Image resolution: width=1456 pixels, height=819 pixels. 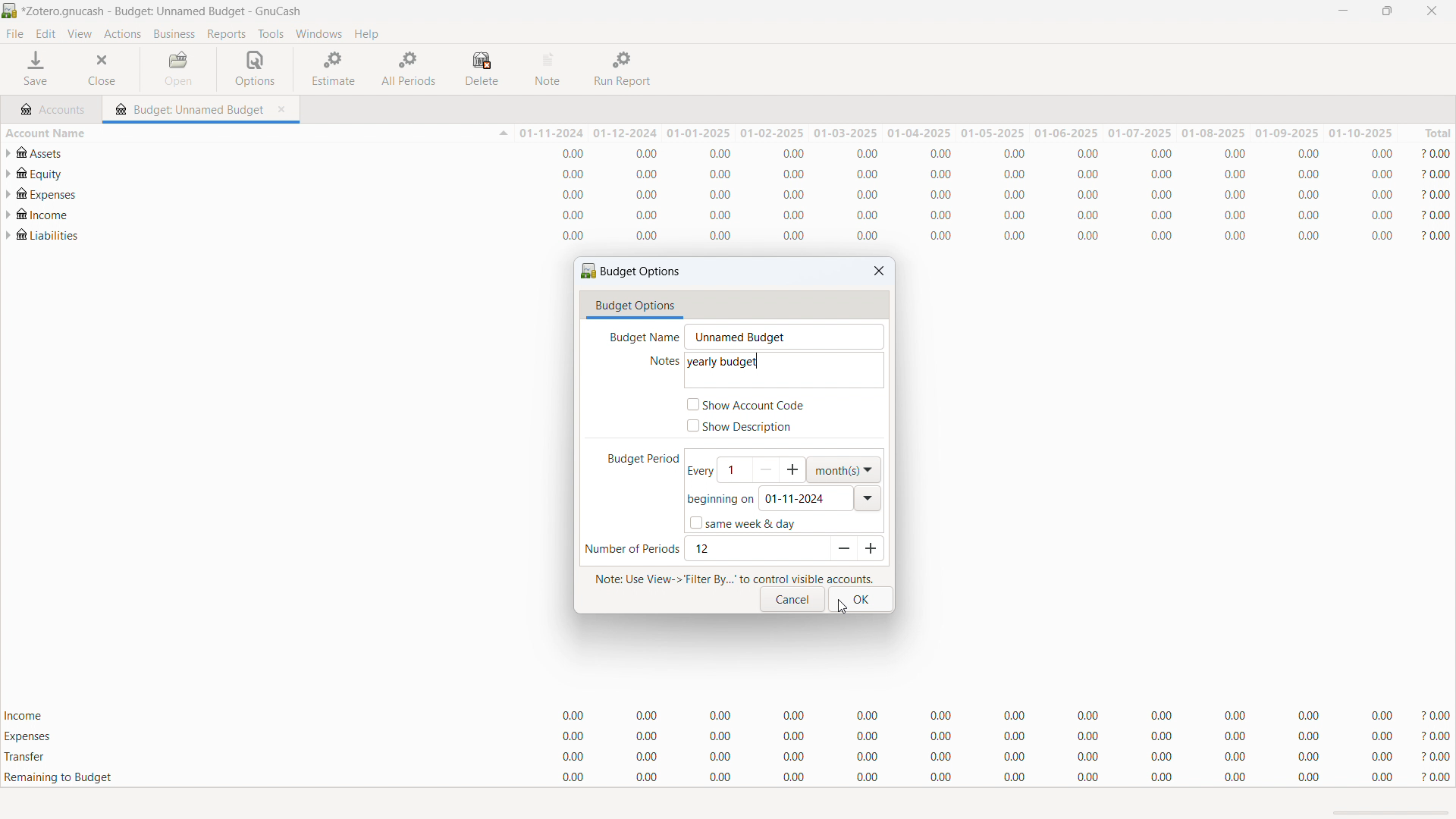 I want to click on Note: Use View-> Filter By..." to control visible accounts., so click(x=733, y=577).